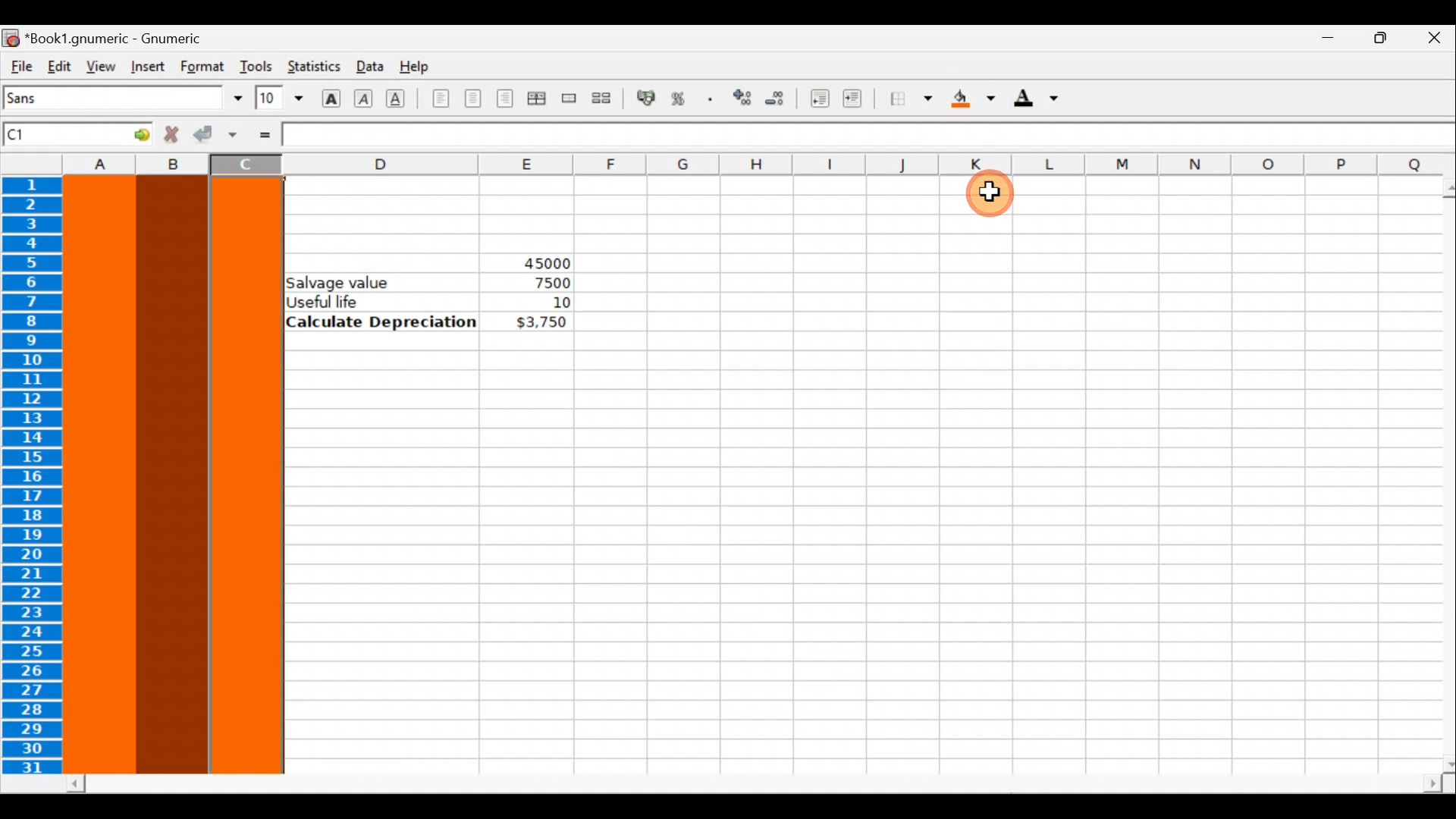  Describe the element at coordinates (147, 67) in the screenshot. I see `Insert` at that location.